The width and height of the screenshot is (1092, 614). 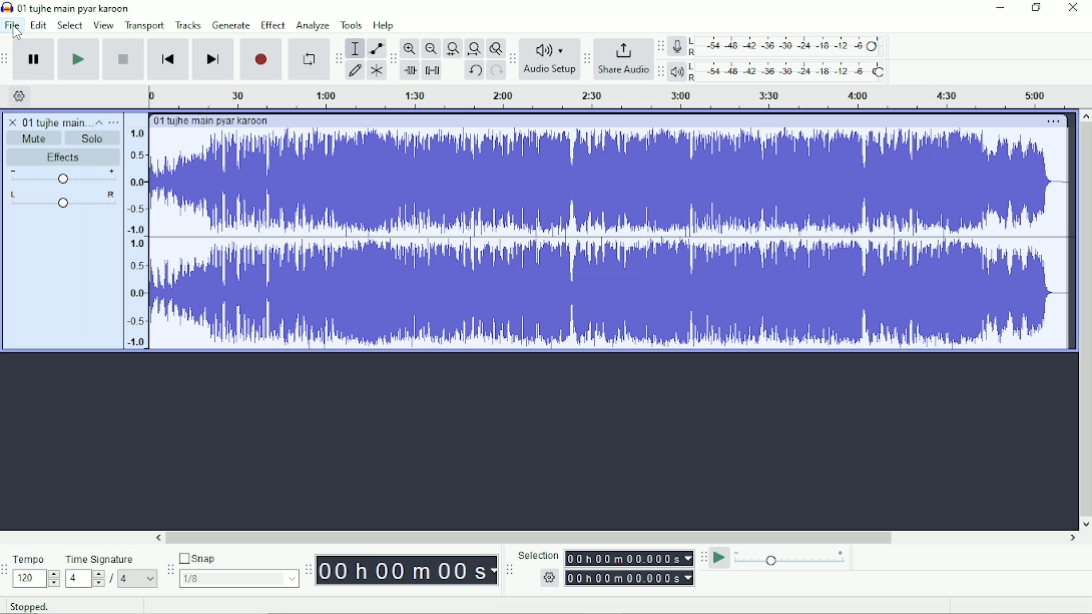 I want to click on Audacity play-at-speed toolbar, so click(x=703, y=558).